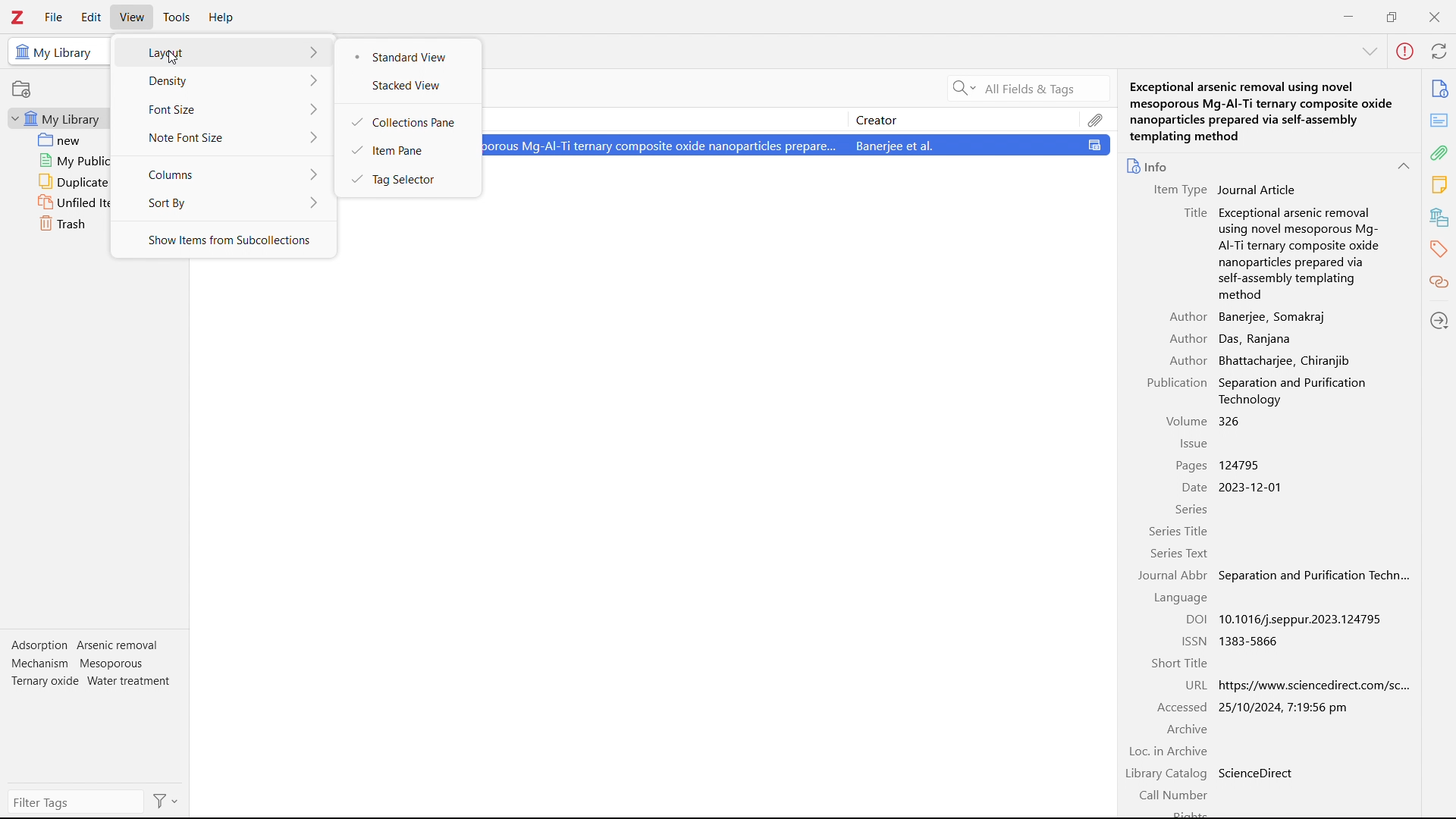 This screenshot has height=819, width=1456. I want to click on Ternary oxide Water treatment, so click(92, 680).